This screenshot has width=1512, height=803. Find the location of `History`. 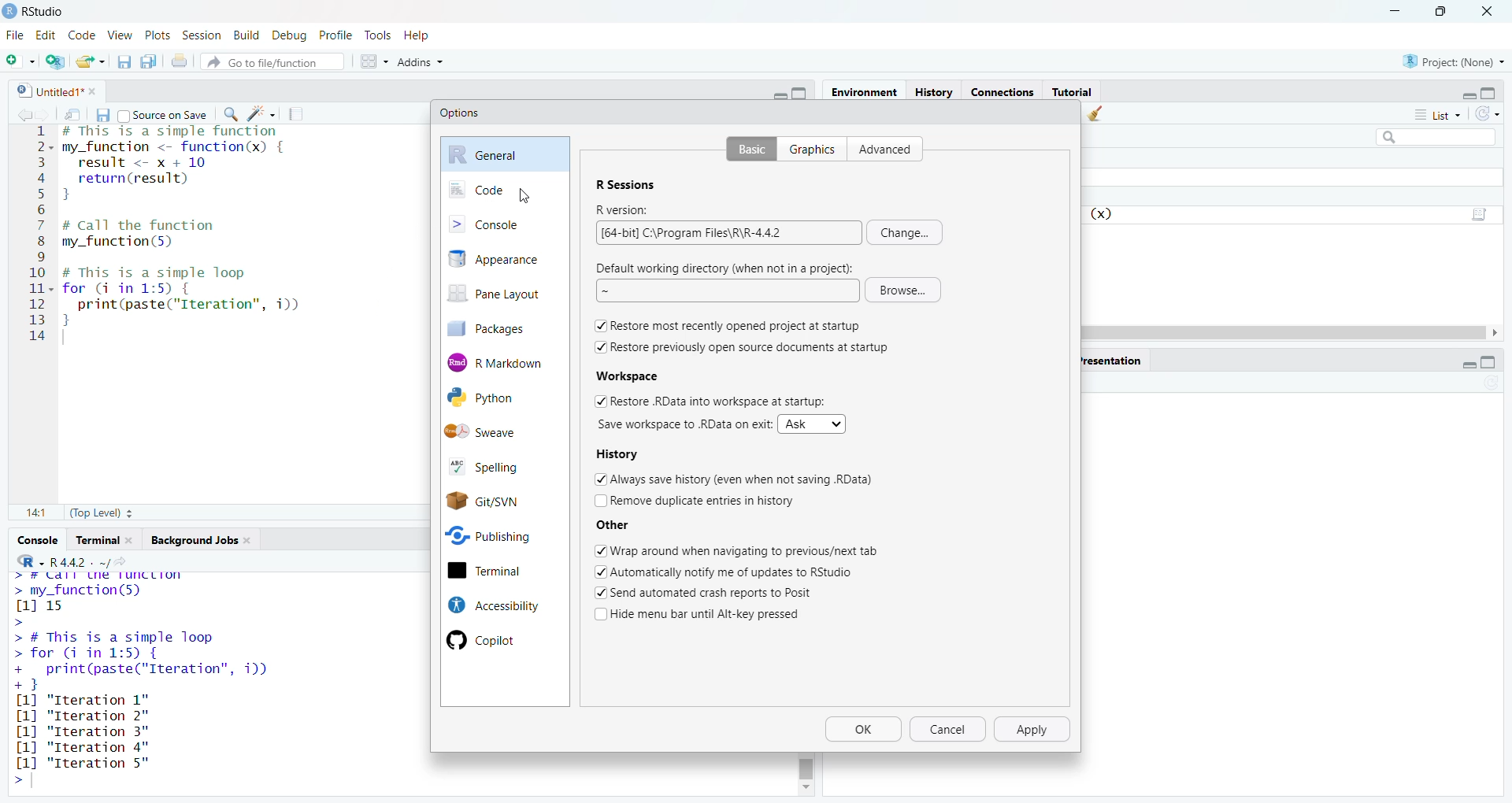

History is located at coordinates (934, 91).